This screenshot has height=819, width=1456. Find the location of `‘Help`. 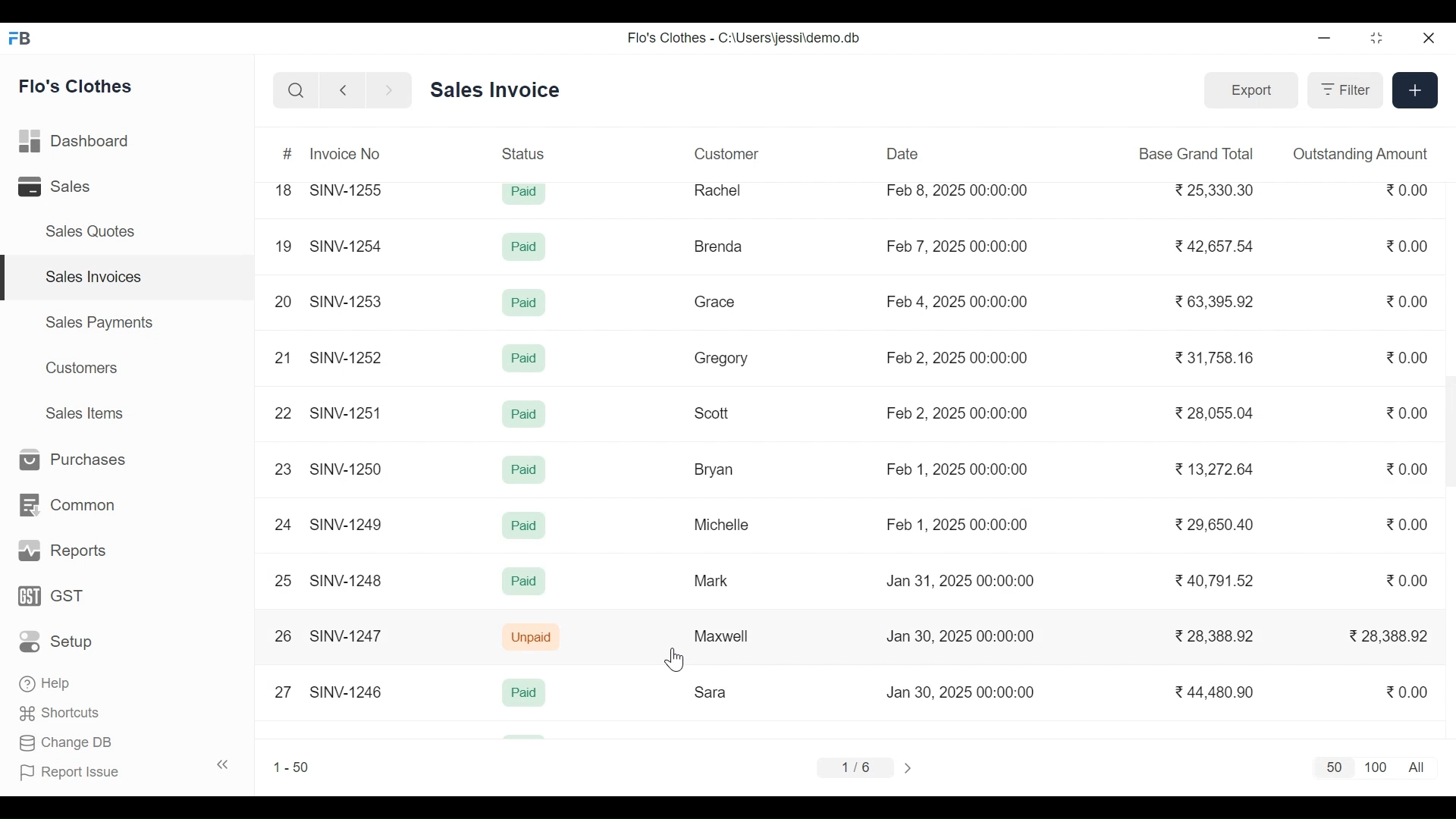

‘Help is located at coordinates (48, 683).